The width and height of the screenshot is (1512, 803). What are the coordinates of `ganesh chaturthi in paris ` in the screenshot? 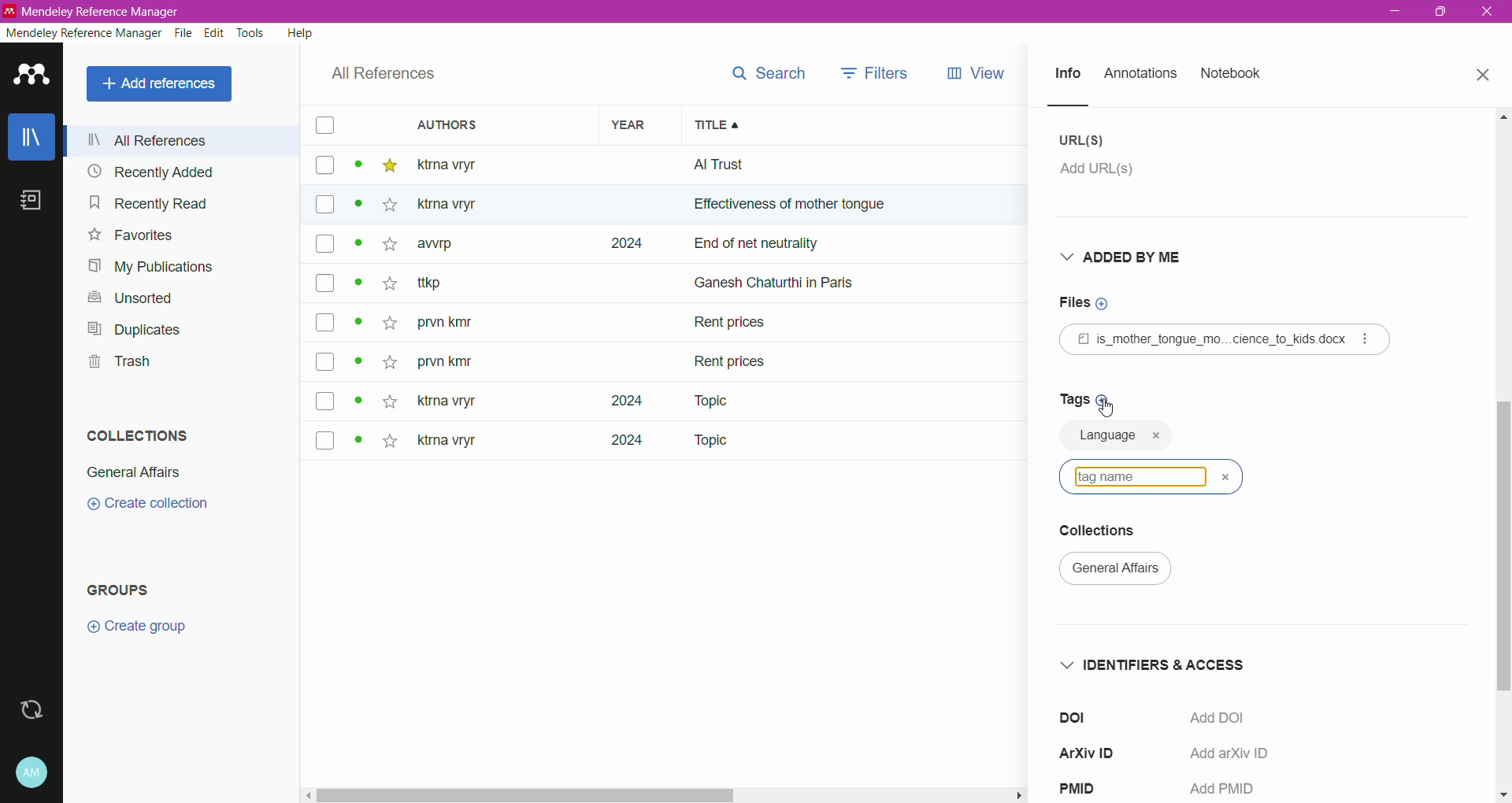 It's located at (792, 276).